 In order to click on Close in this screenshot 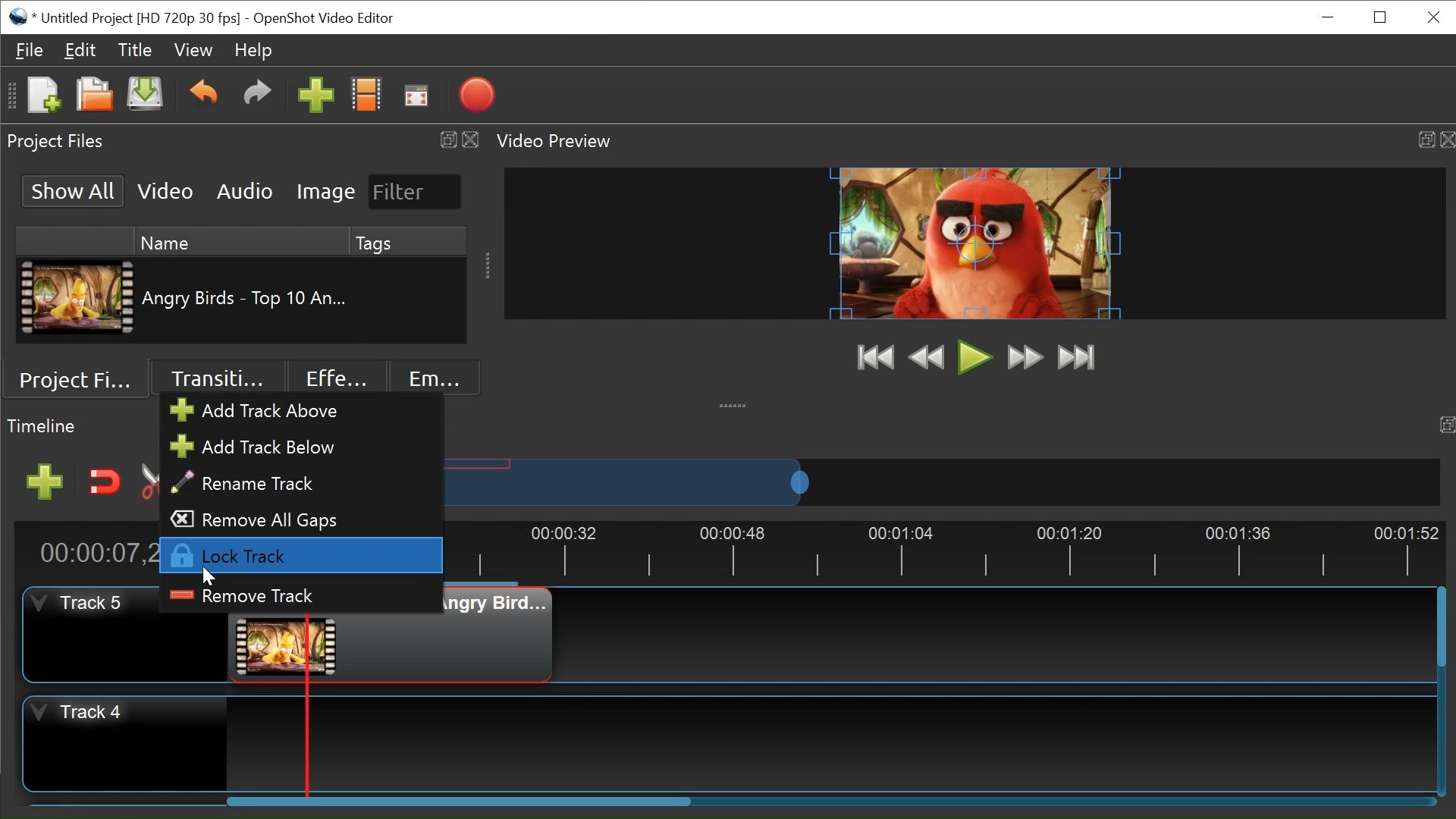, I will do `click(1435, 18)`.